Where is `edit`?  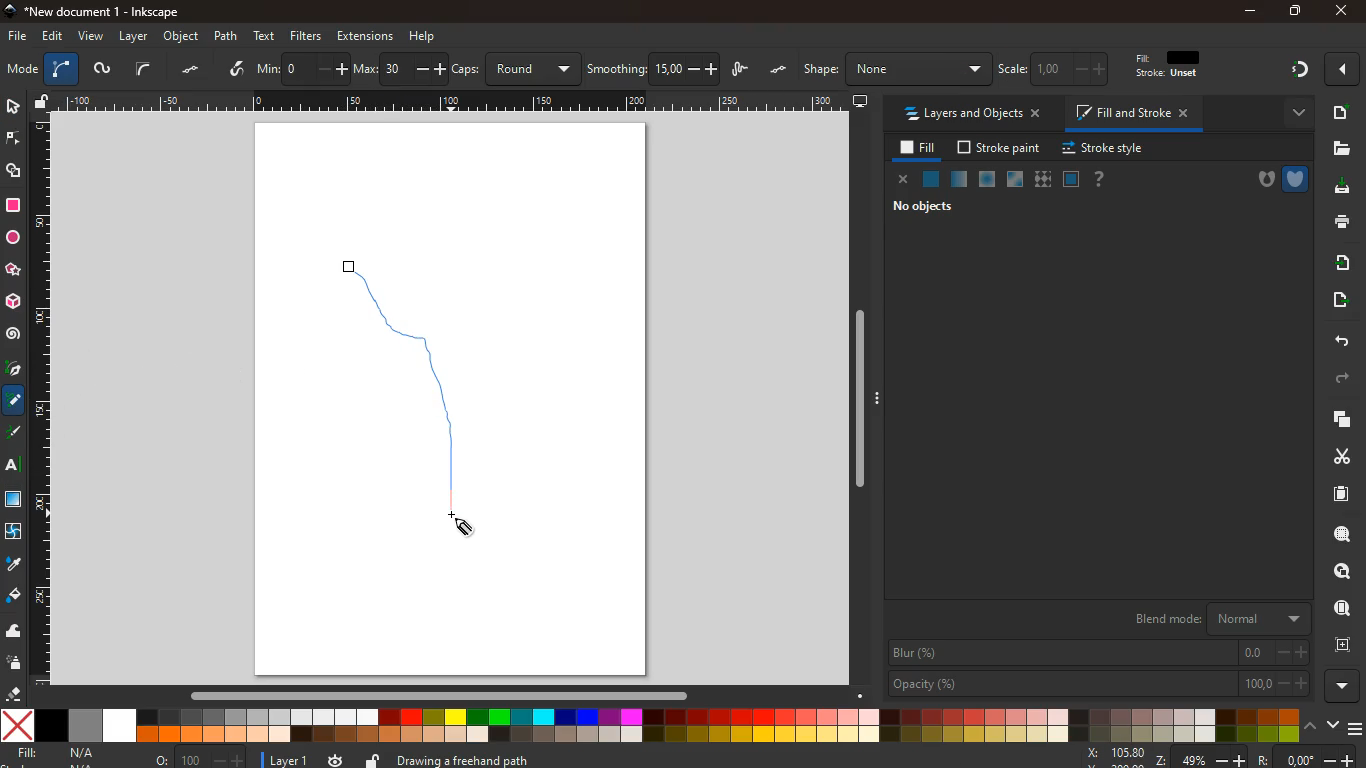
edit is located at coordinates (1102, 68).